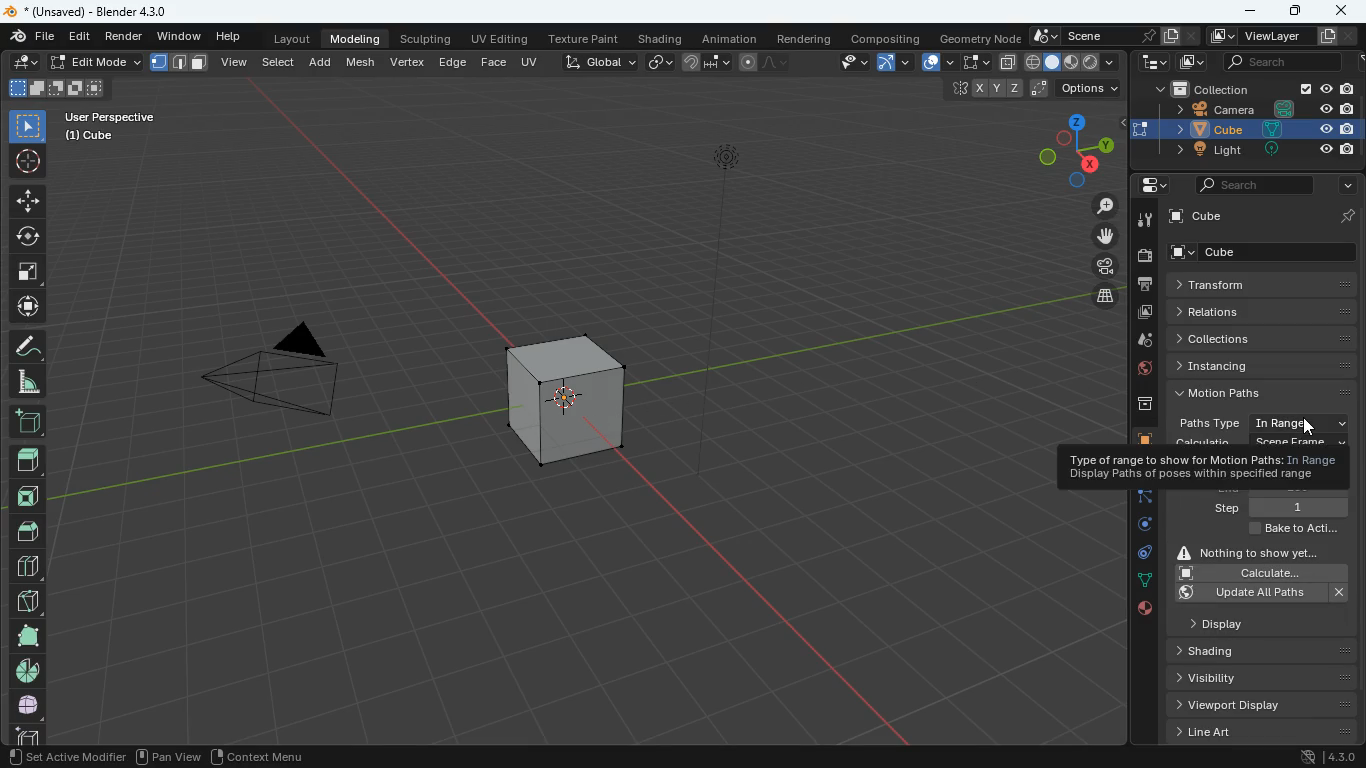  Describe the element at coordinates (28, 234) in the screenshot. I see `rotate` at that location.